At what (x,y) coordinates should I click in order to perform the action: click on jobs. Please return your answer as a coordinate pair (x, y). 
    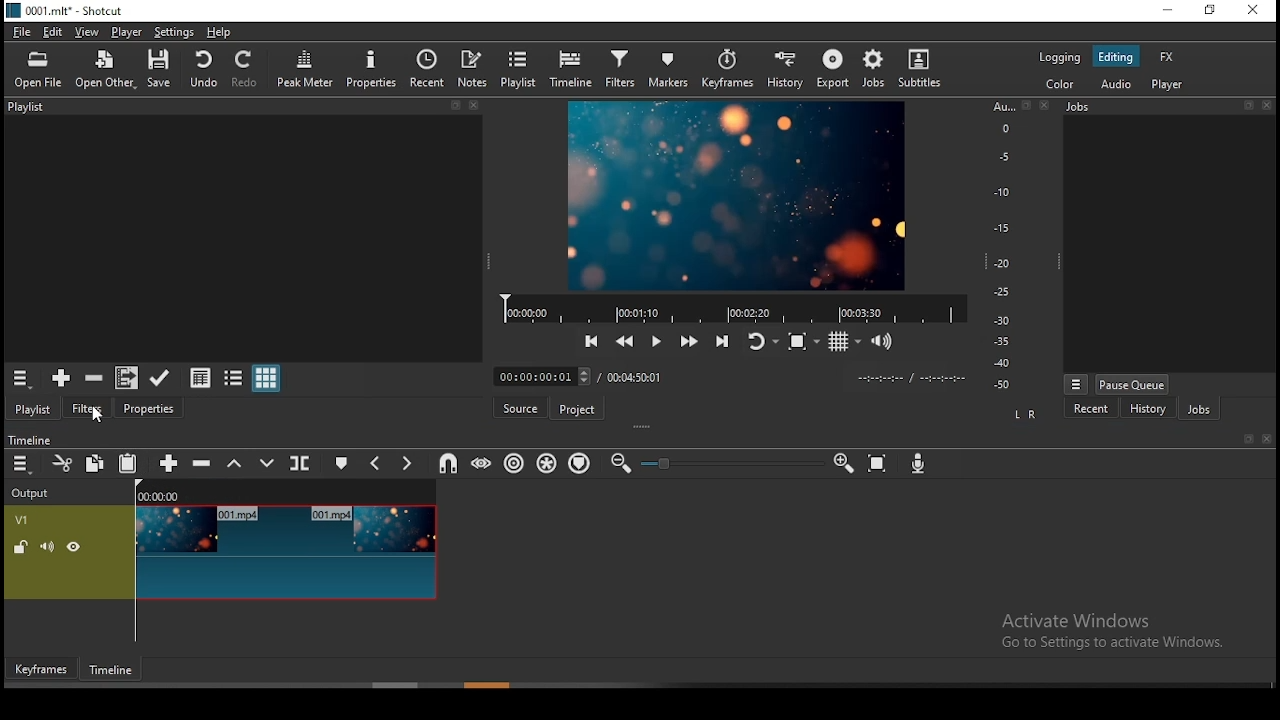
    Looking at the image, I should click on (873, 72).